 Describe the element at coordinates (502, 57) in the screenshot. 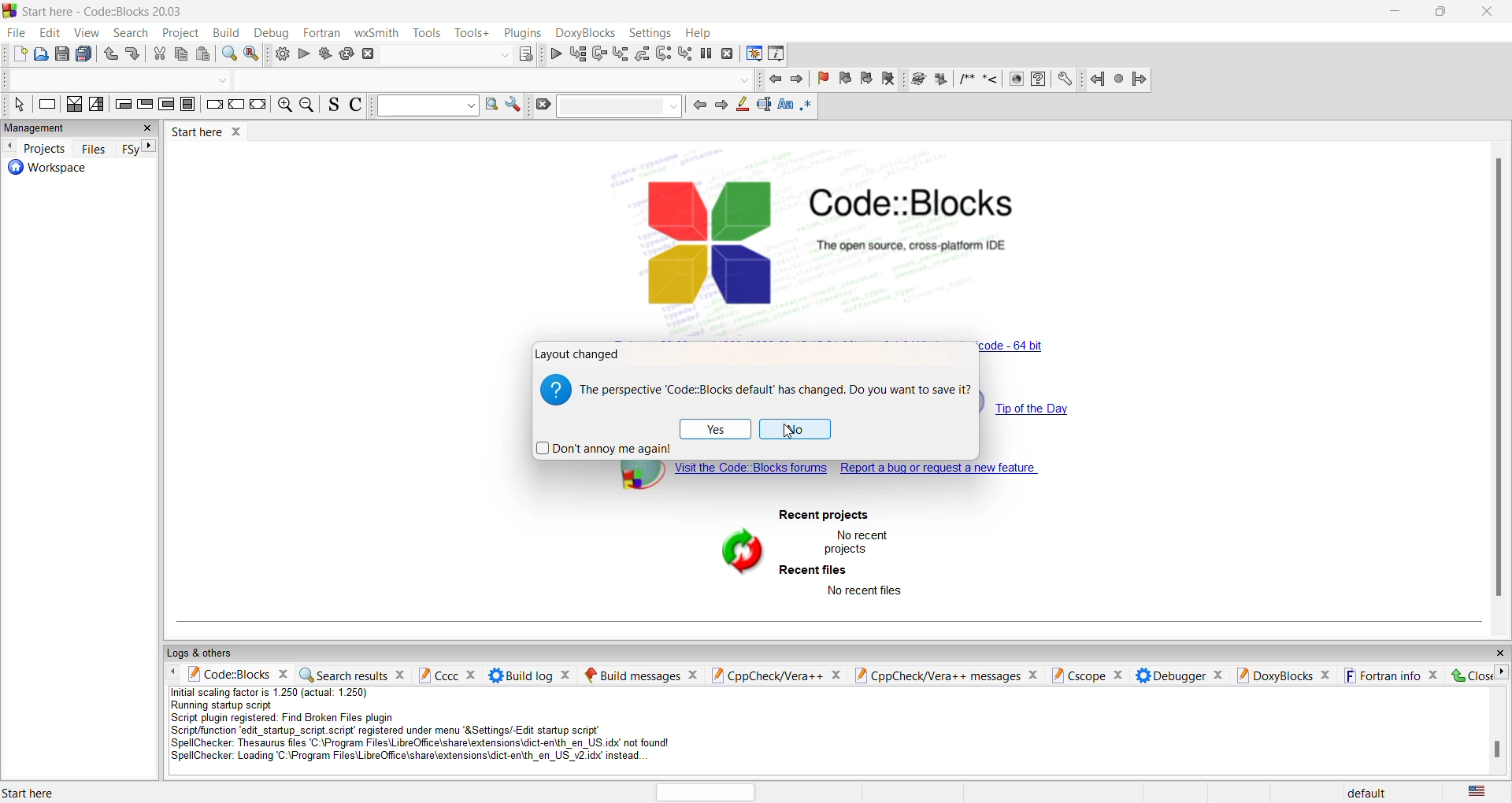

I see `dropdown` at that location.